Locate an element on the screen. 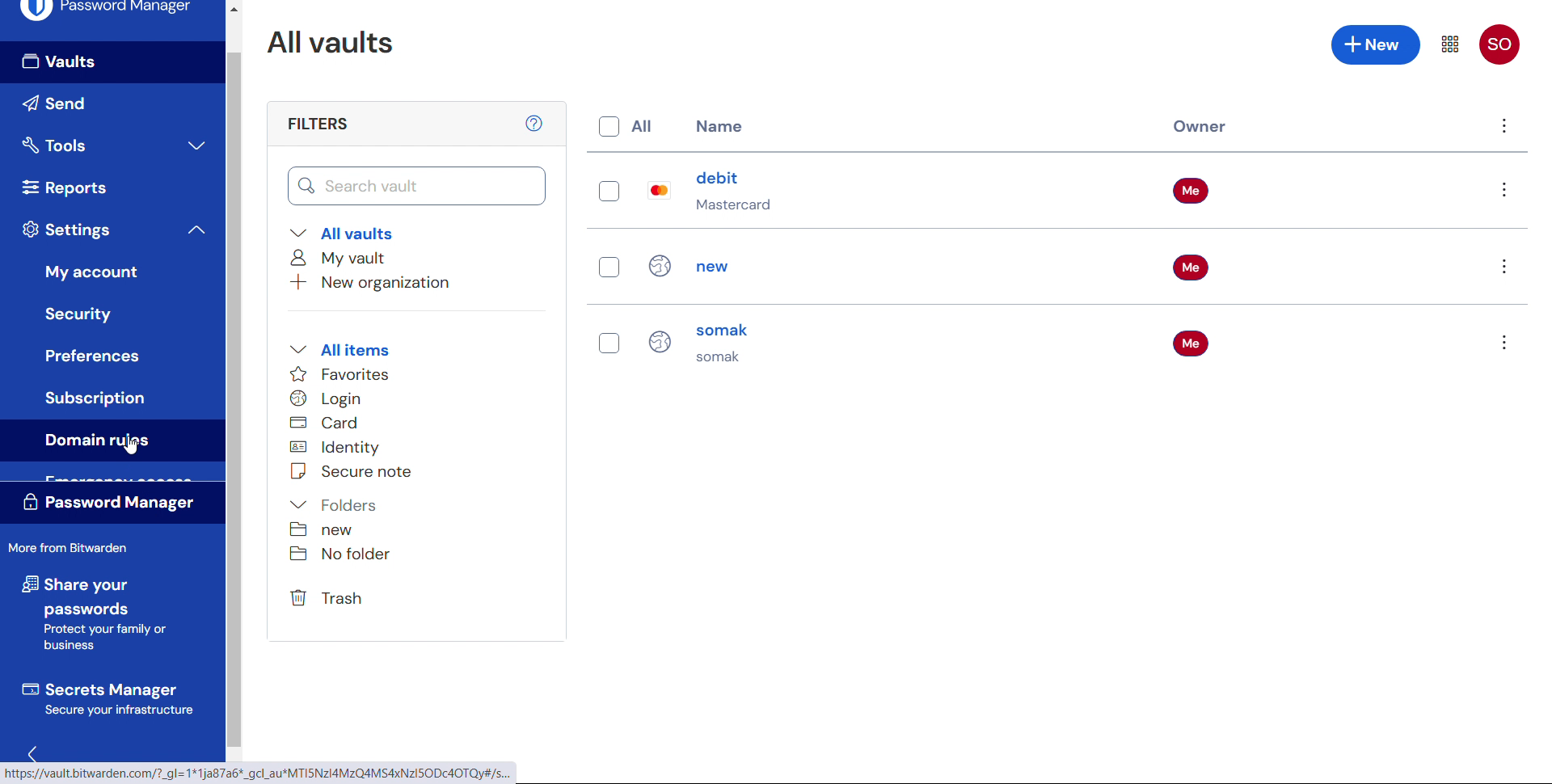  somak somak is located at coordinates (735, 344).